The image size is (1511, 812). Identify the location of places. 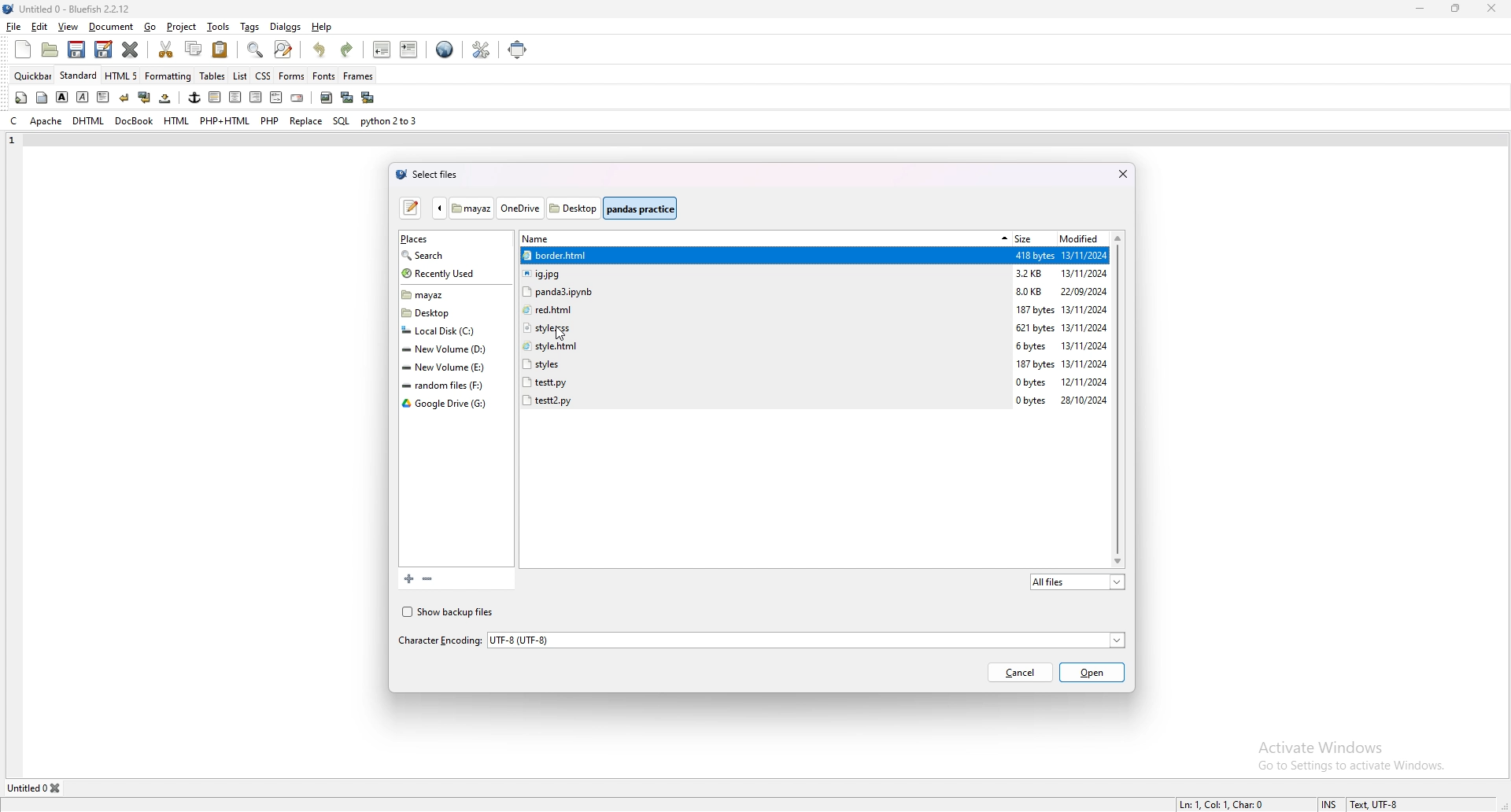
(439, 240).